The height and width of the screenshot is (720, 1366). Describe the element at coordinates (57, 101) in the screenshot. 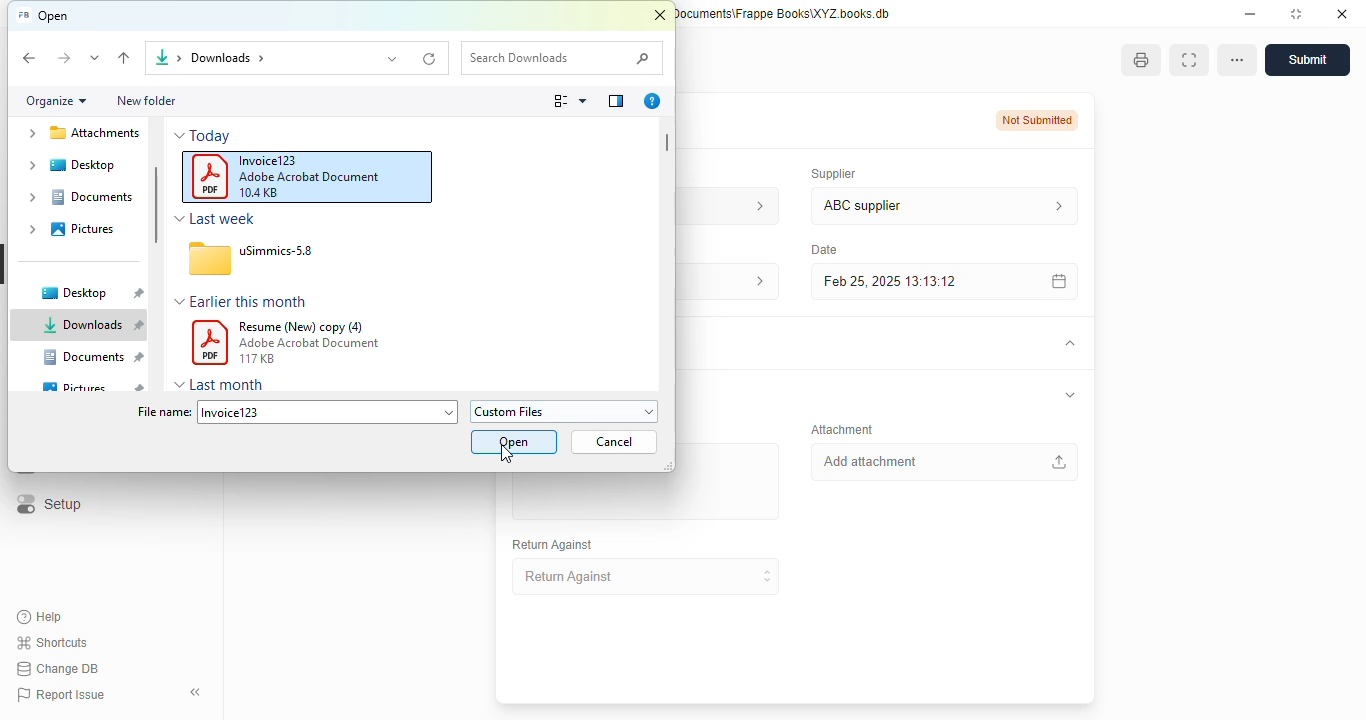

I see `organize ` at that location.